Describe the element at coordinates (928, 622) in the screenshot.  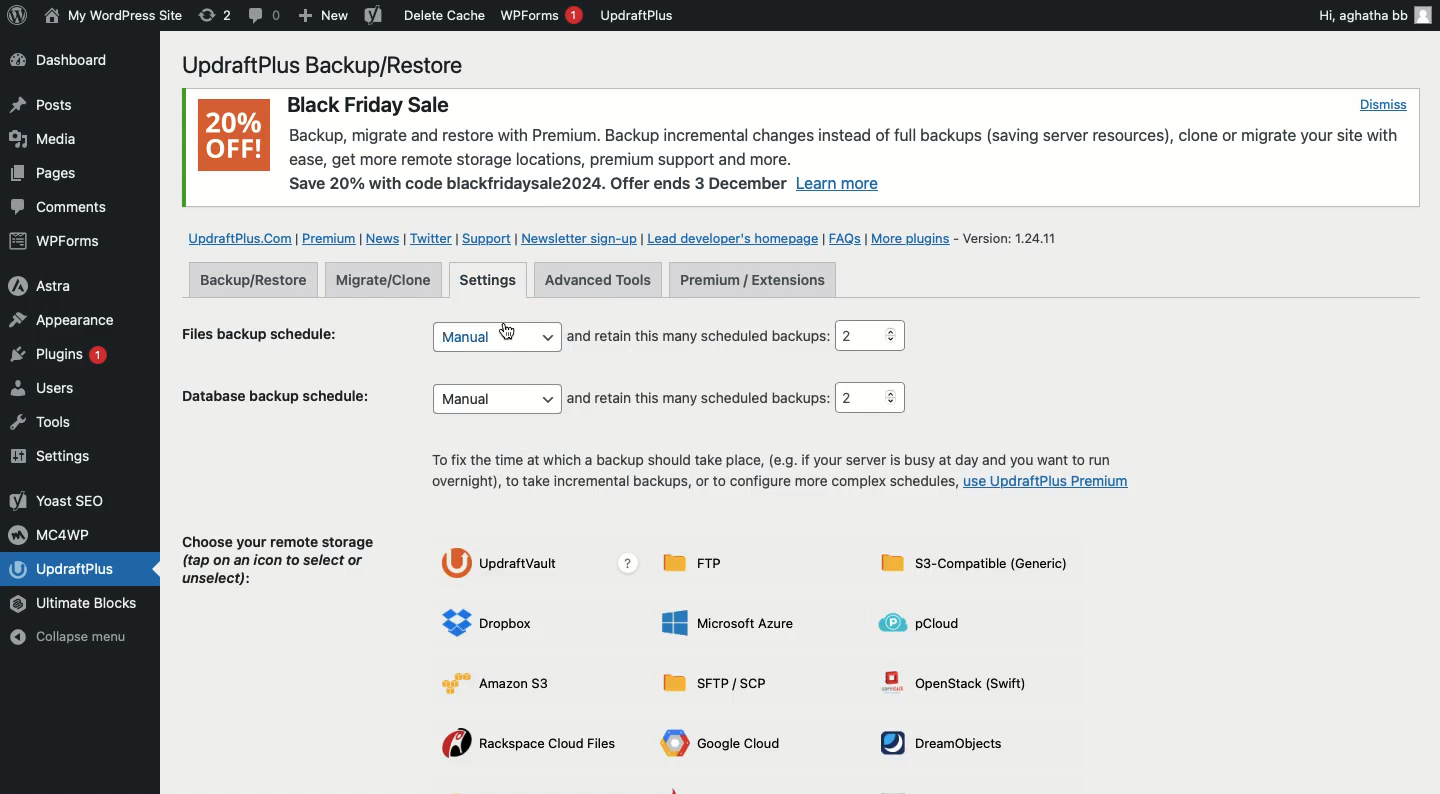
I see `pCLoud` at that location.